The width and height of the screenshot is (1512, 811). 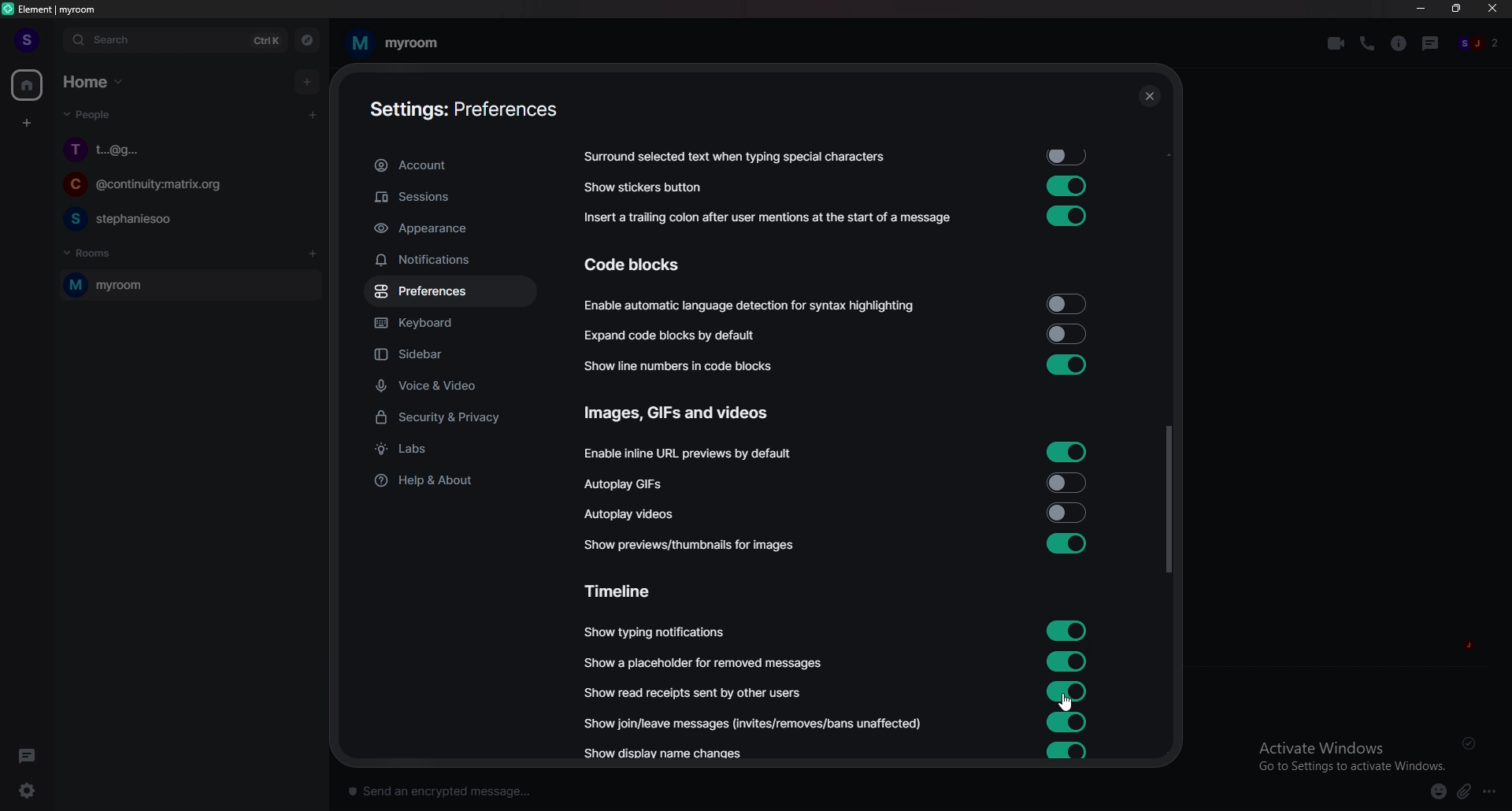 I want to click on settings, so click(x=36, y=791).